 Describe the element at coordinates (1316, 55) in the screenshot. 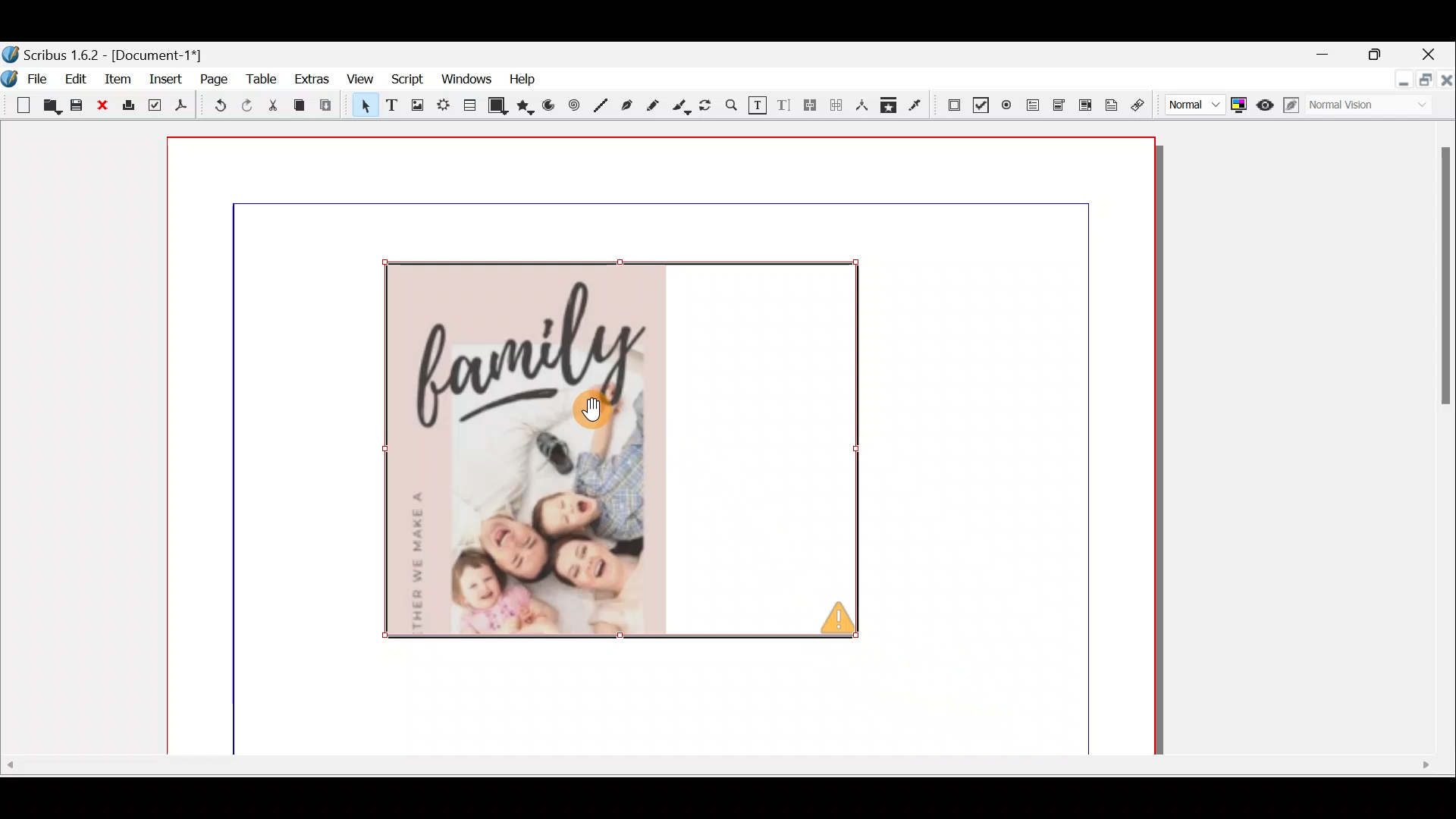

I see `Minimise` at that location.